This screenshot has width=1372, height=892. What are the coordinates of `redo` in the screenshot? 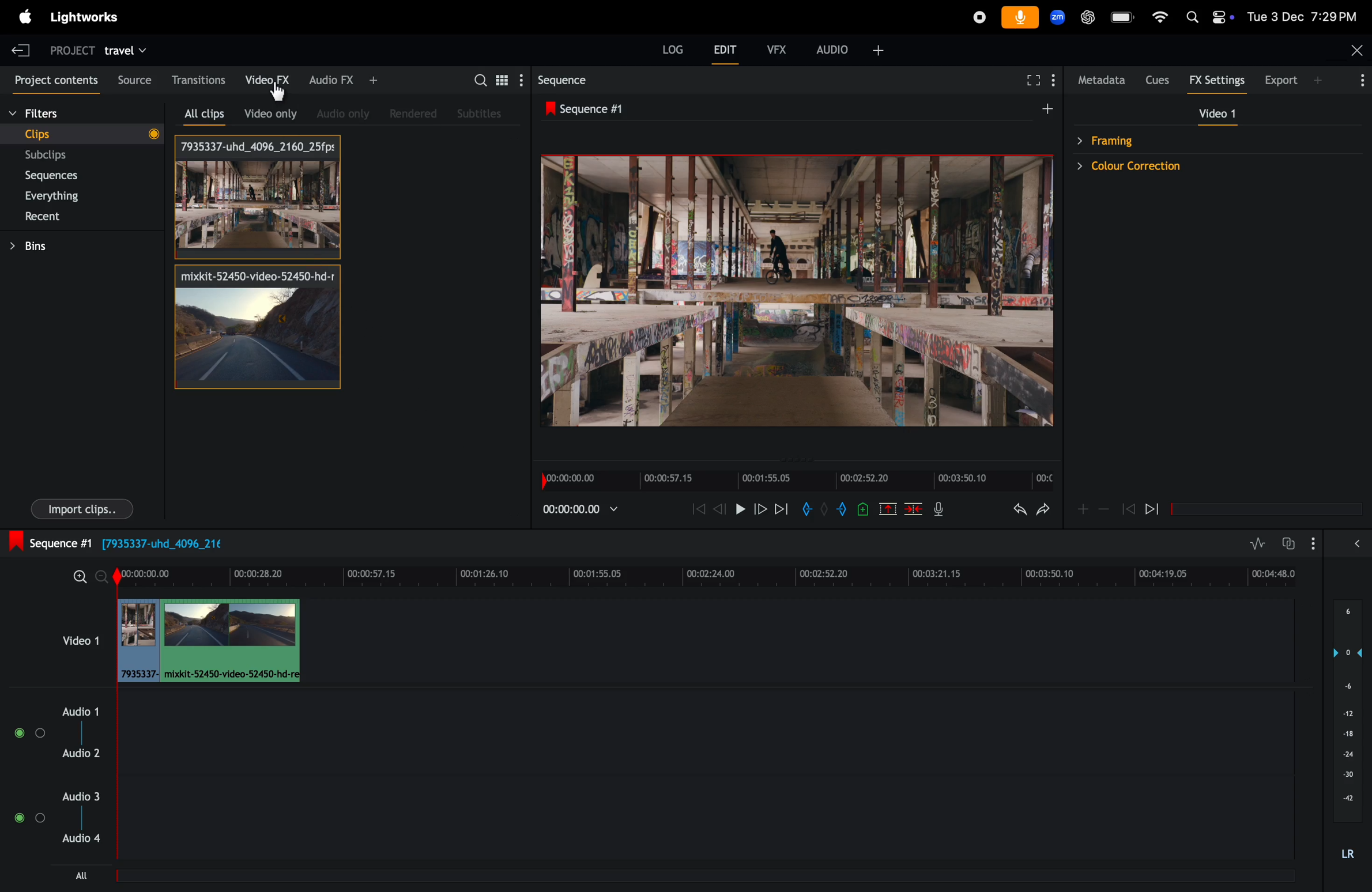 It's located at (1043, 510).